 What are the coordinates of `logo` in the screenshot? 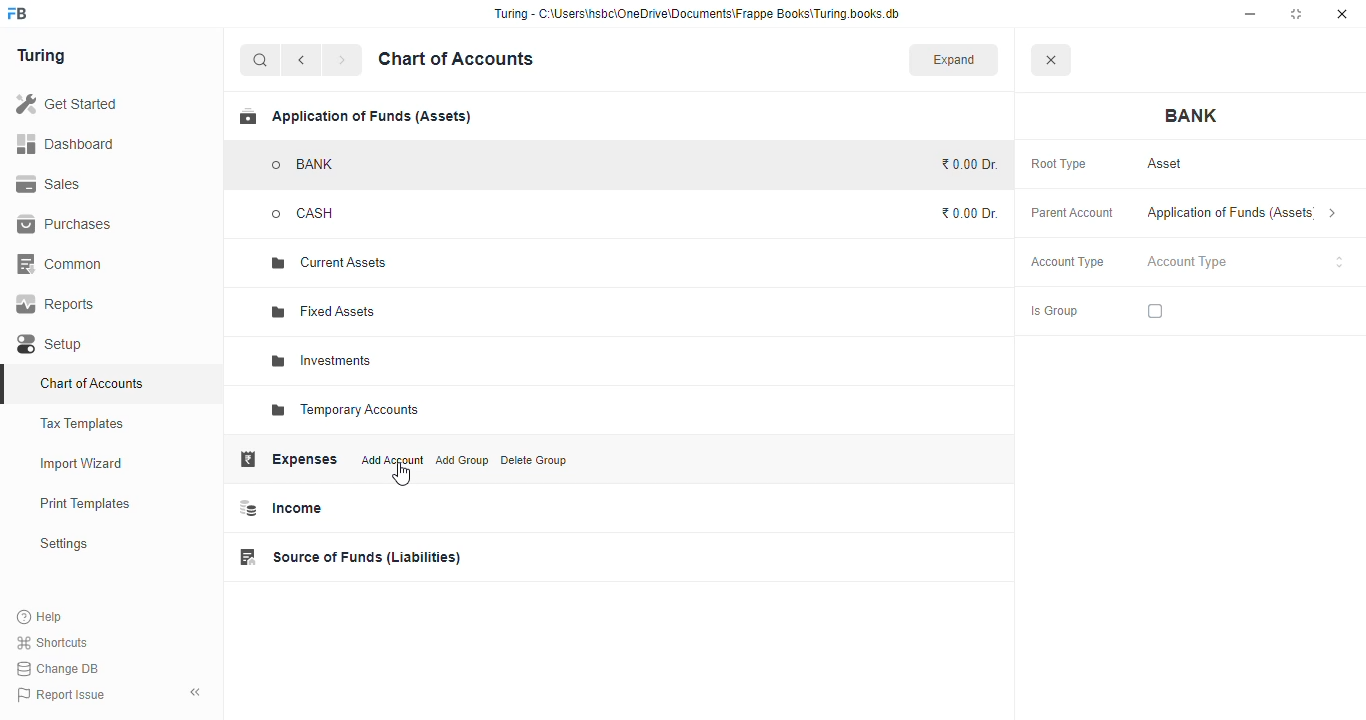 It's located at (18, 13).